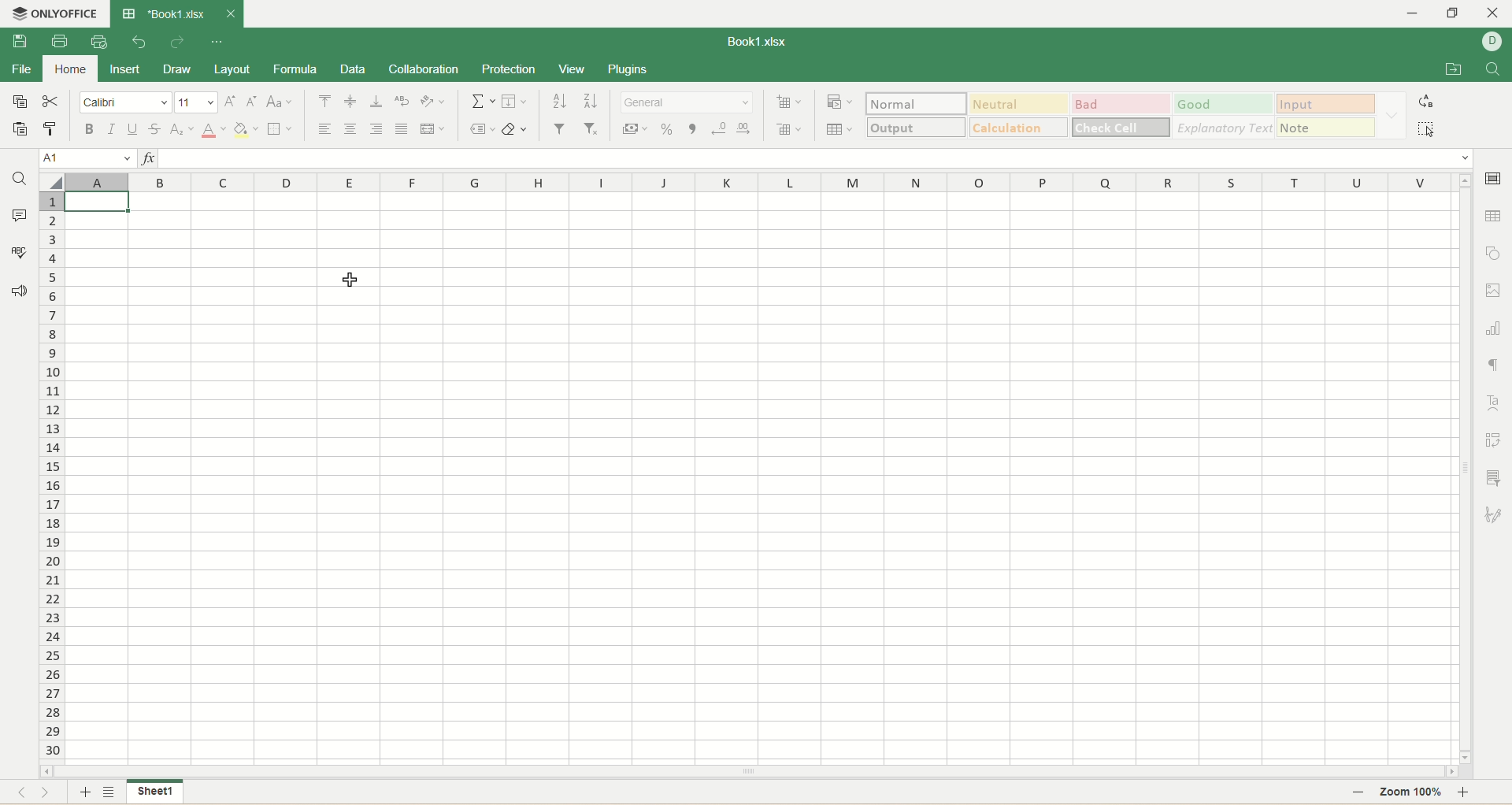 The width and height of the screenshot is (1512, 805). What do you see at coordinates (146, 158) in the screenshot?
I see `insert function` at bounding box center [146, 158].